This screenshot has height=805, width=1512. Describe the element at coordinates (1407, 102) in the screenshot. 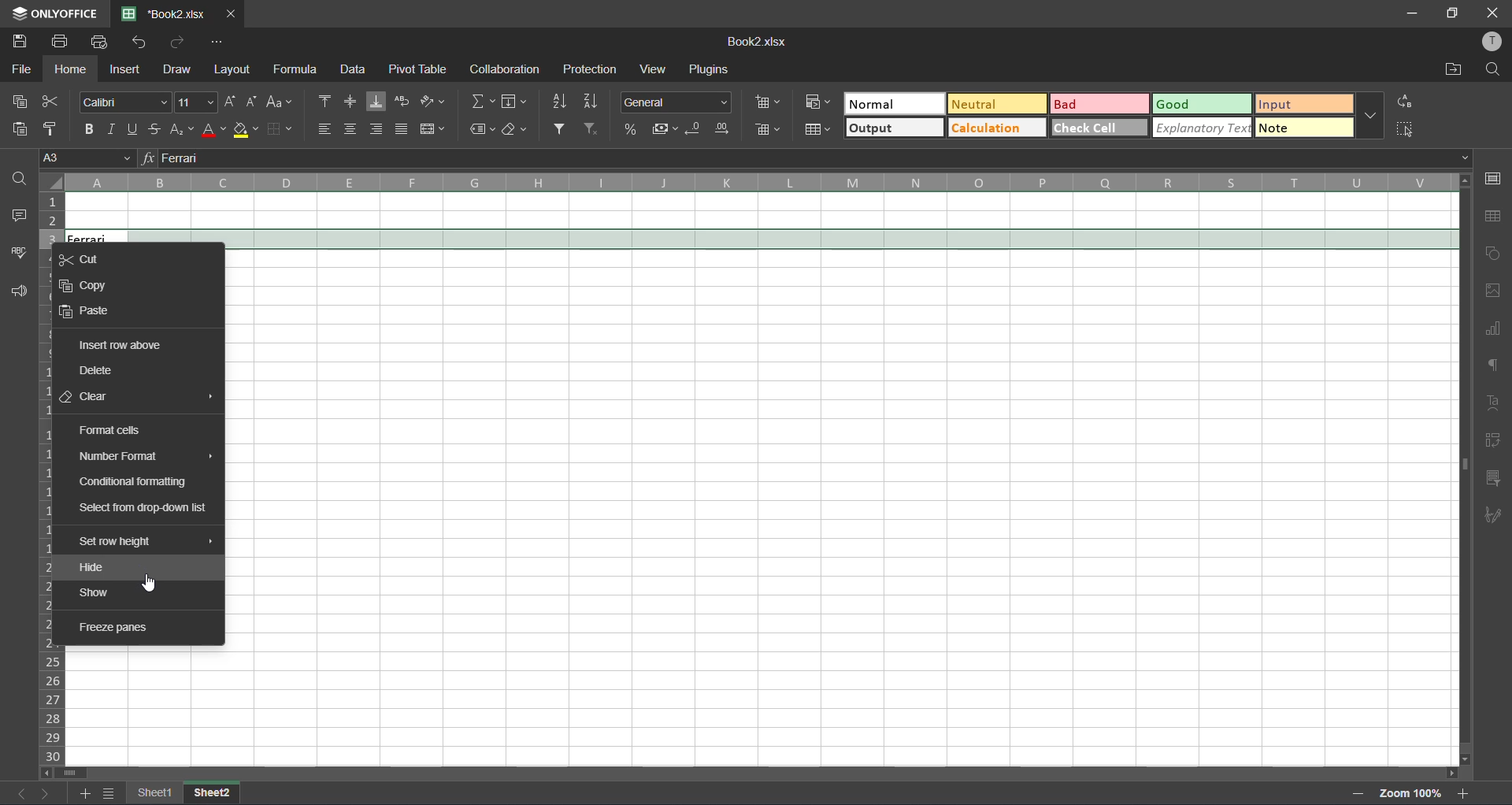

I see `replace` at that location.